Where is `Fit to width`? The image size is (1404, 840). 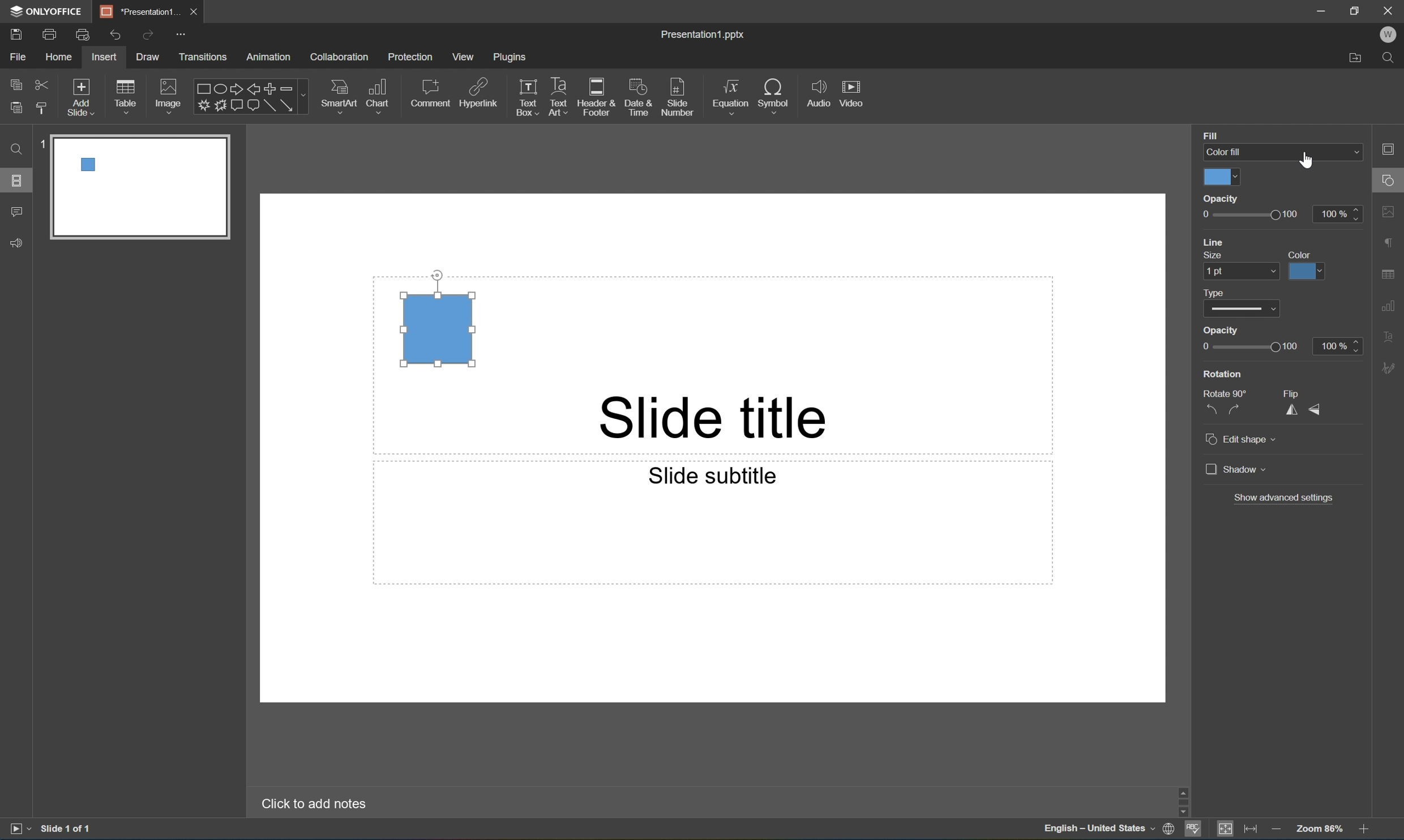
Fit to width is located at coordinates (1252, 828).